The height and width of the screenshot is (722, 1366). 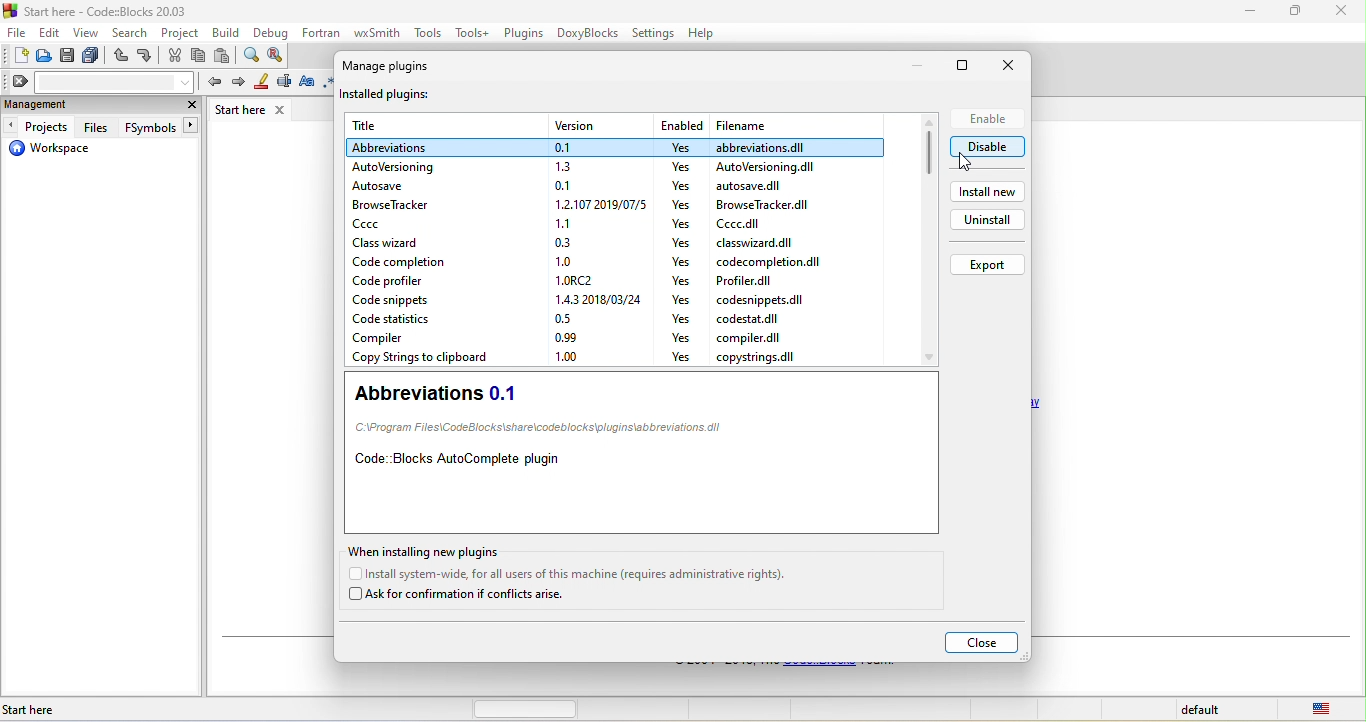 I want to click on version , so click(x=596, y=205).